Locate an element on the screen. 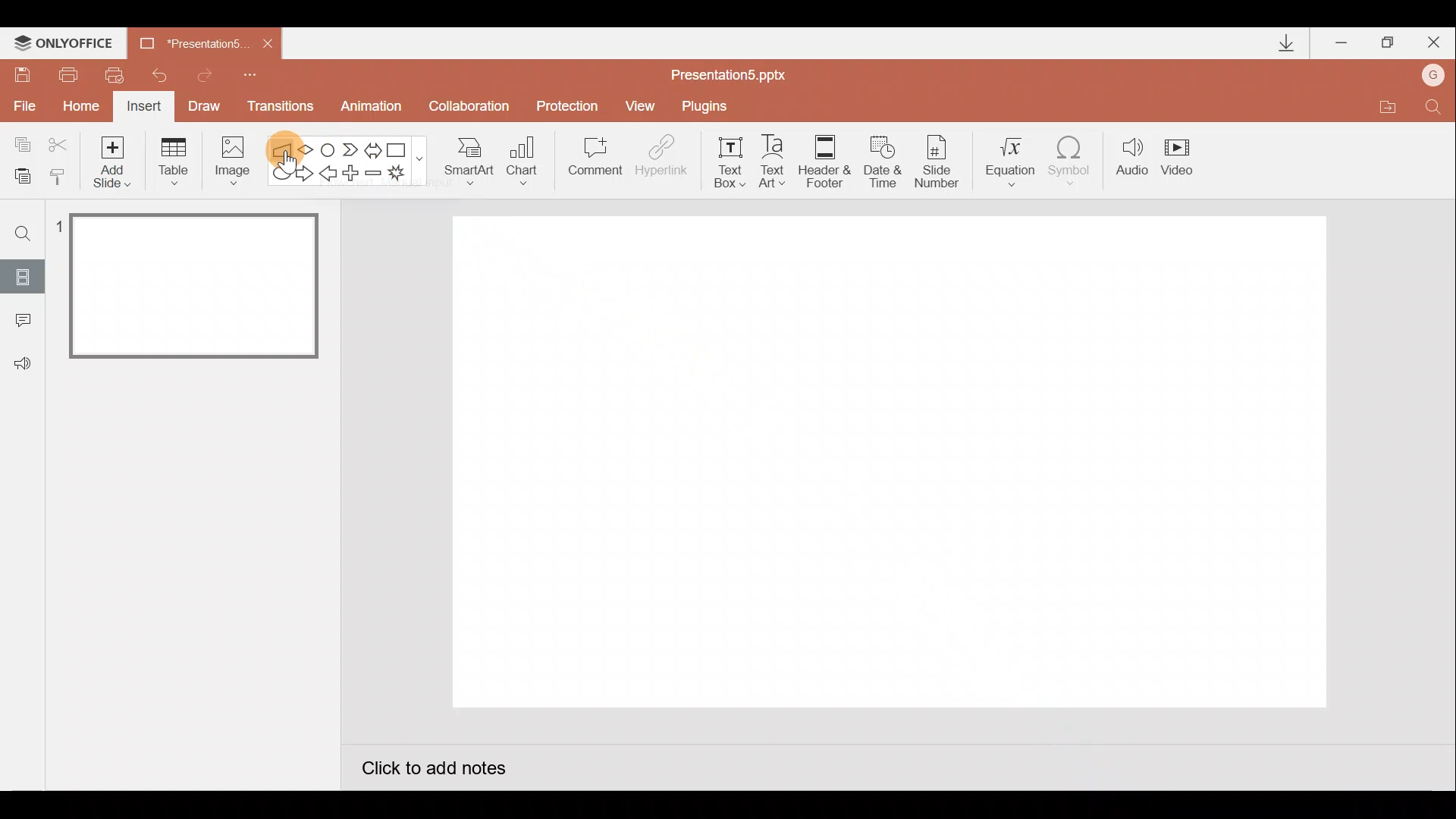 This screenshot has width=1456, height=819. Undo is located at coordinates (162, 75).